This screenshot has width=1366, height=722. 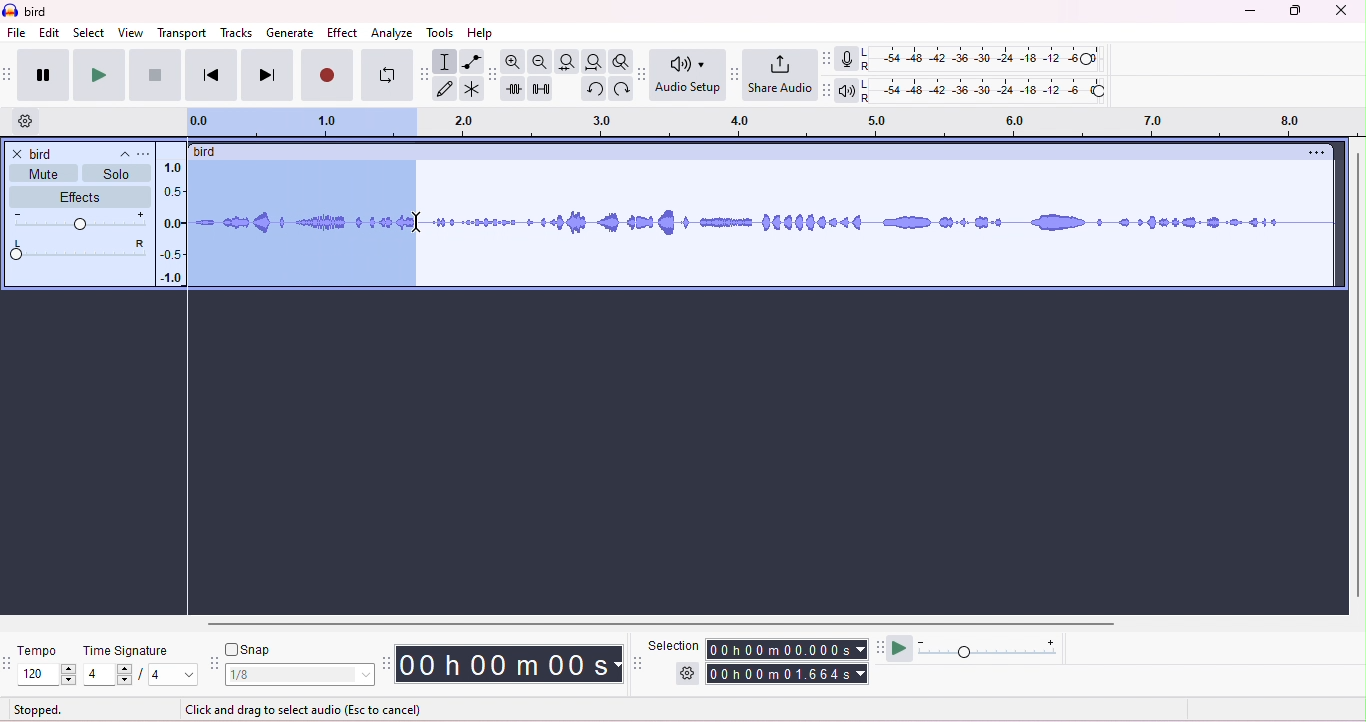 What do you see at coordinates (116, 174) in the screenshot?
I see `solo` at bounding box center [116, 174].